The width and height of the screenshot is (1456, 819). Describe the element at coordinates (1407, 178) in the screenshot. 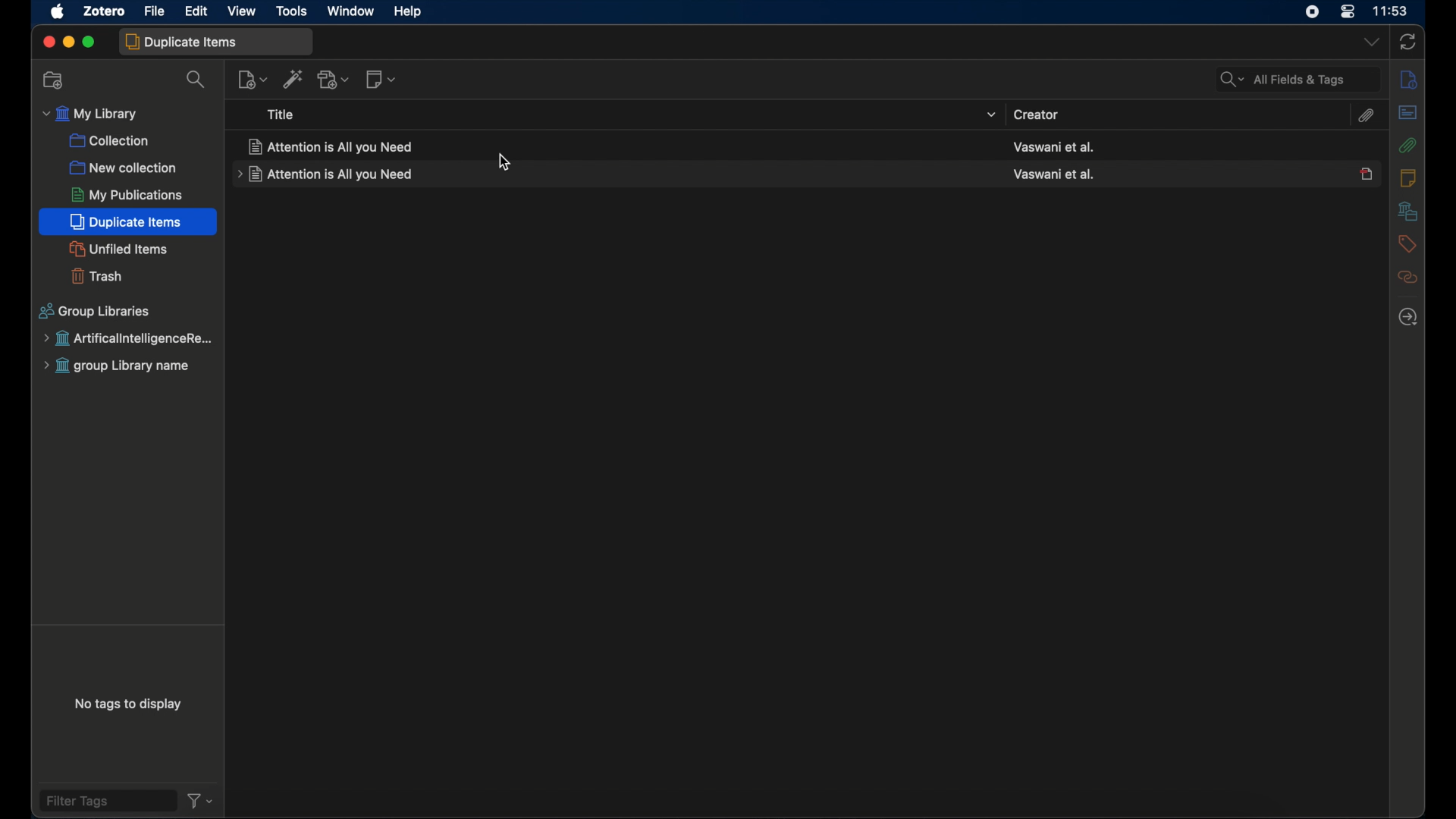

I see `notes` at that location.